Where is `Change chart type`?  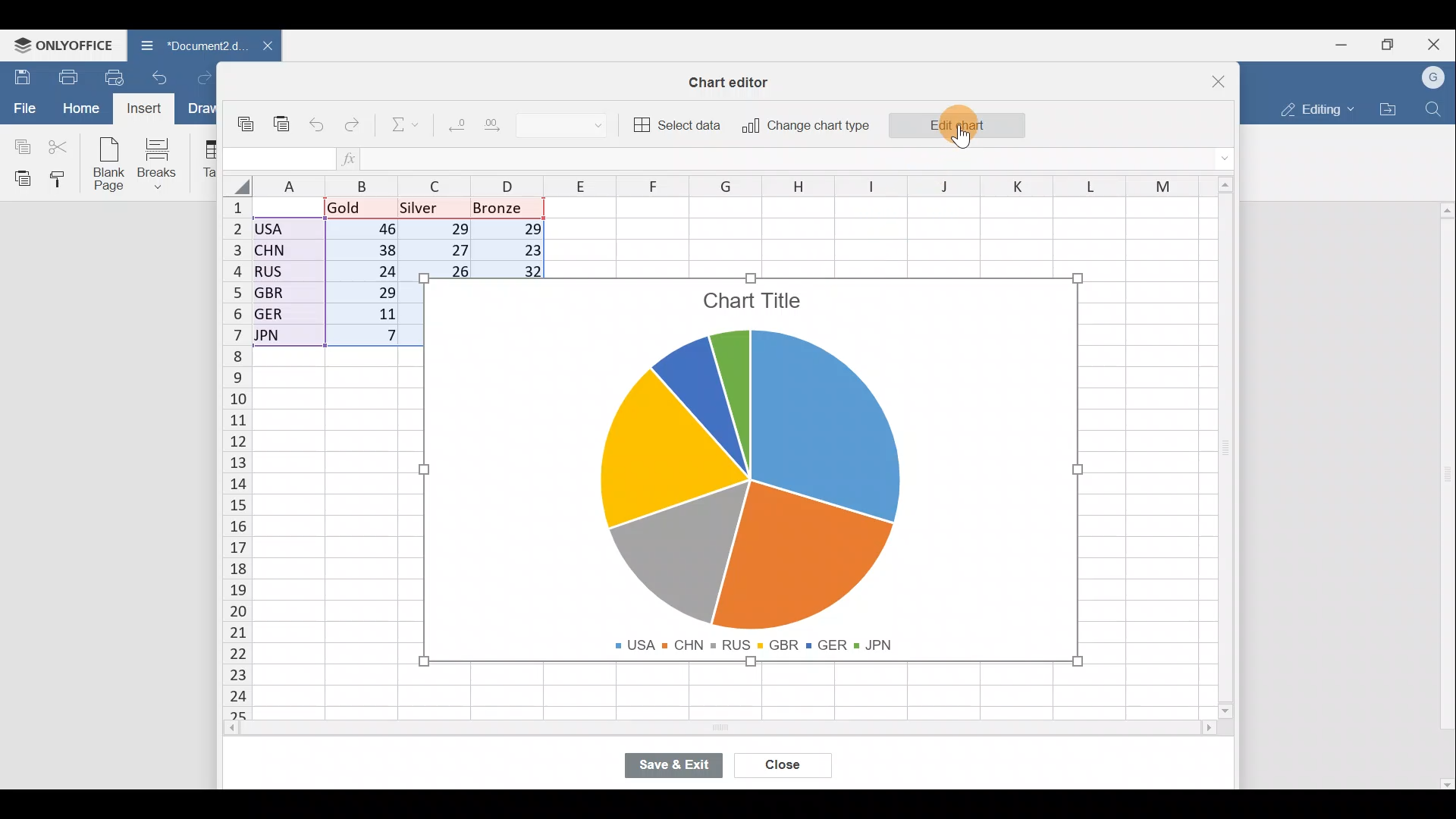 Change chart type is located at coordinates (801, 127).